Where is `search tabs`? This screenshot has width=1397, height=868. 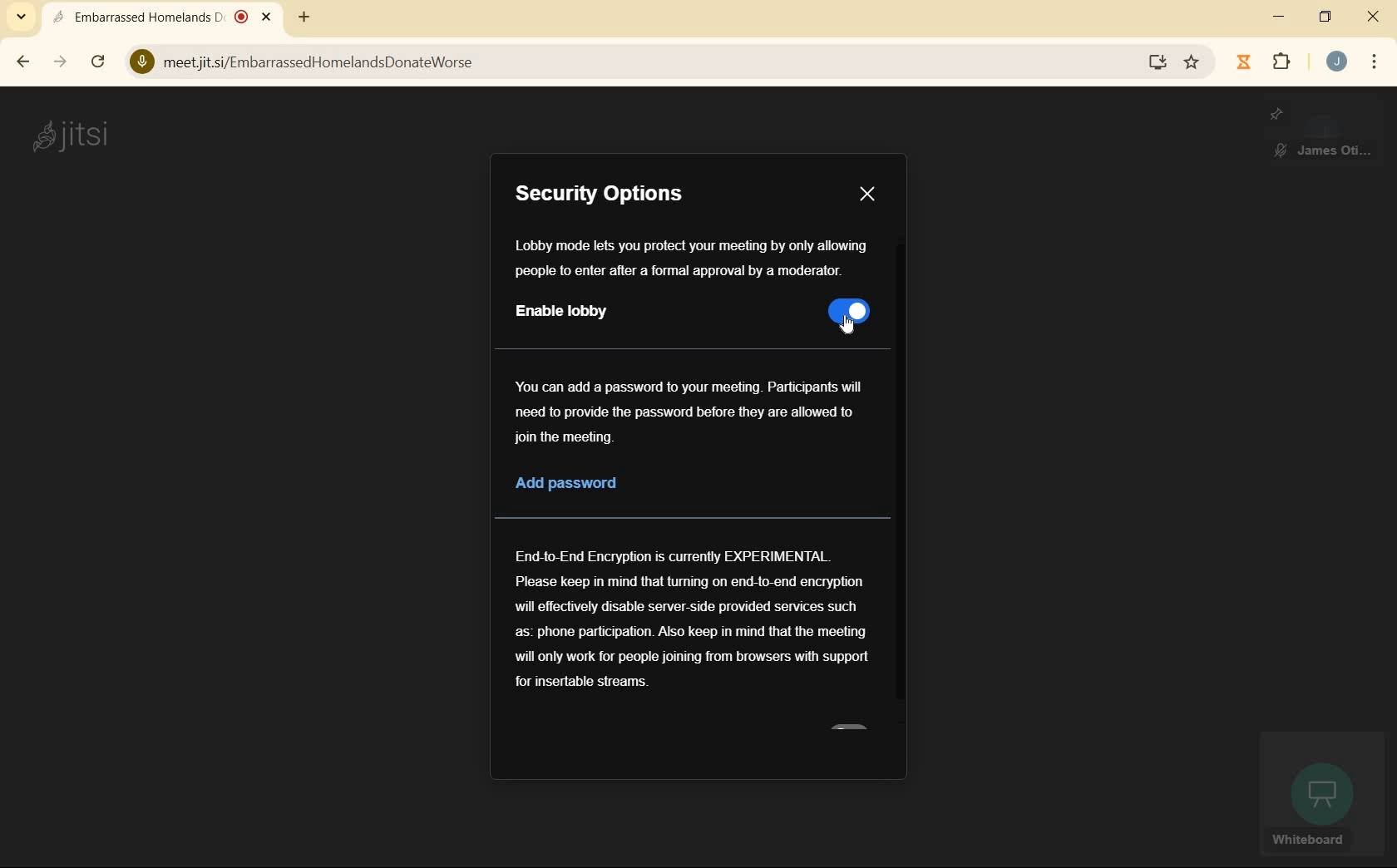 search tabs is located at coordinates (20, 17).